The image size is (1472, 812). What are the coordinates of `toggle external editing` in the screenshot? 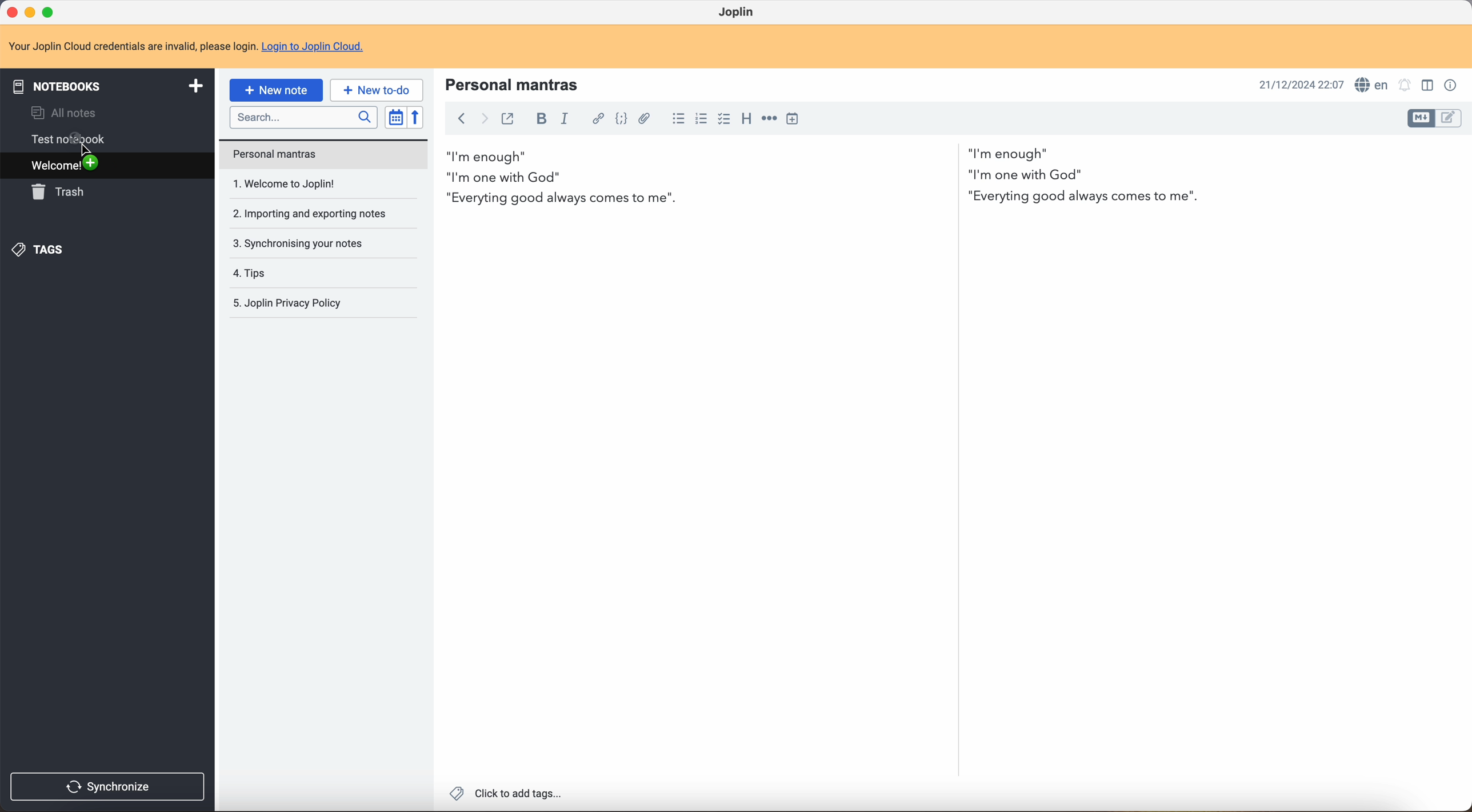 It's located at (509, 120).